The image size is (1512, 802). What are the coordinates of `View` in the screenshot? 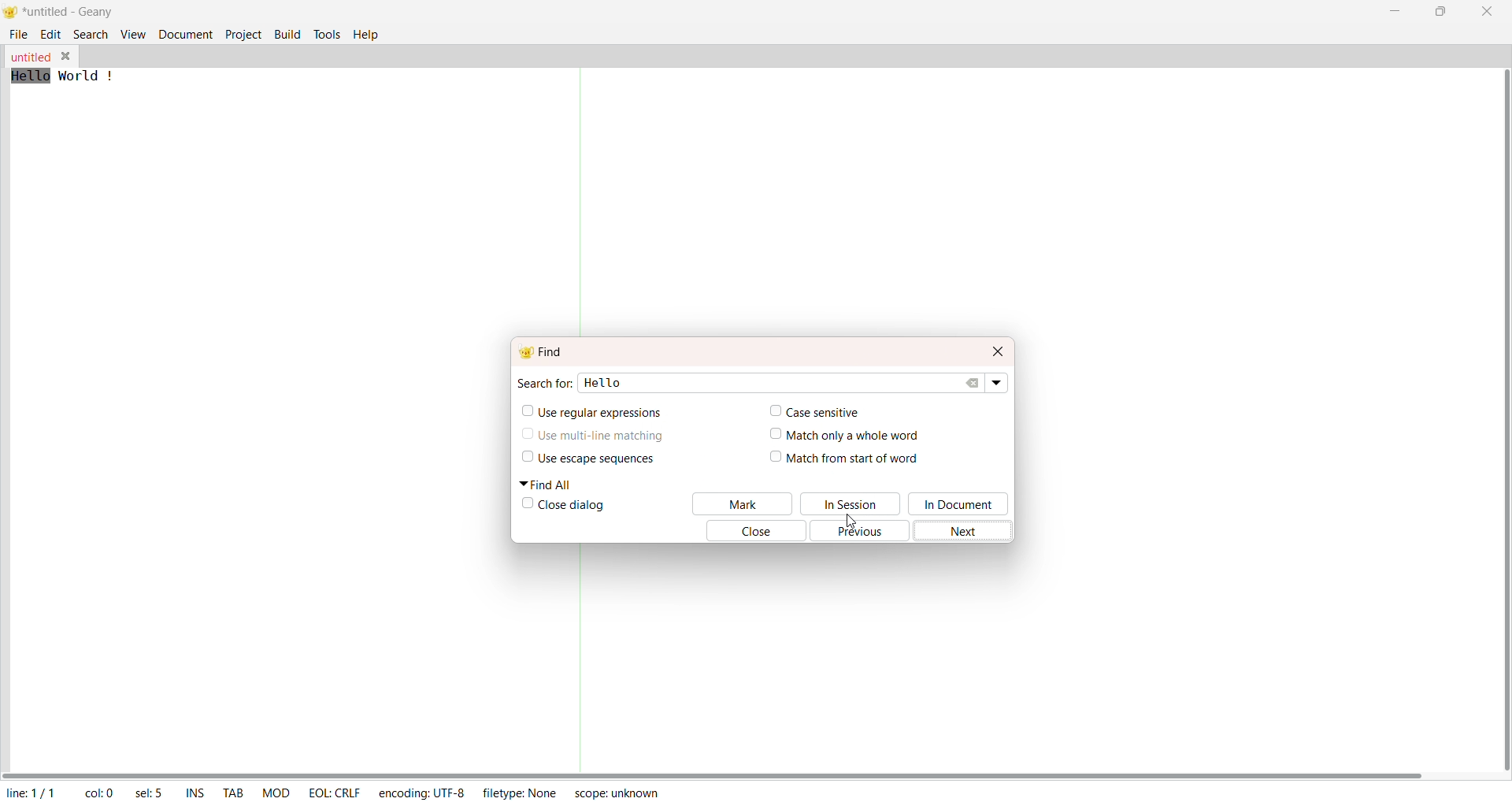 It's located at (131, 35).